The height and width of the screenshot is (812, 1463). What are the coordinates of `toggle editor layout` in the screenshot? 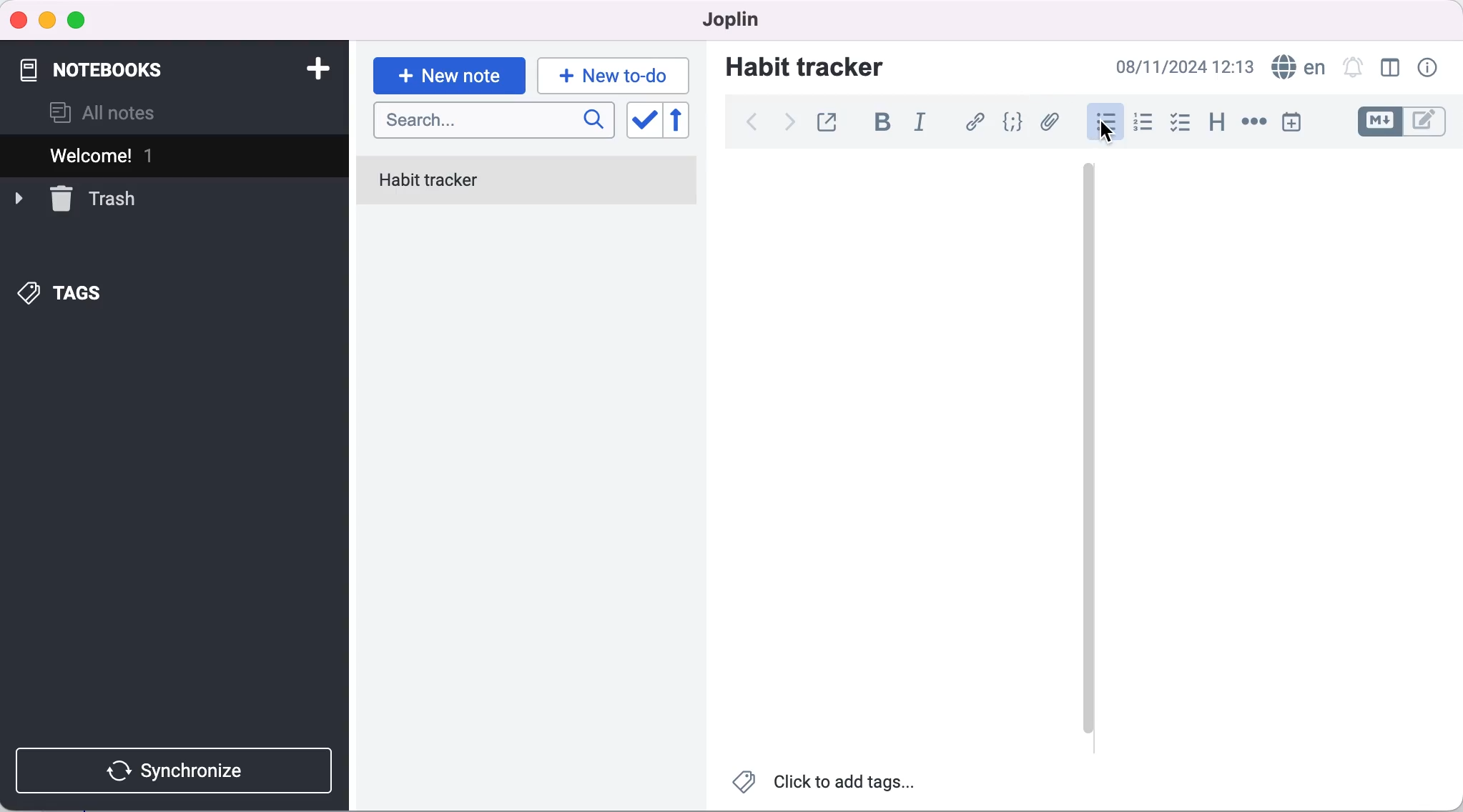 It's located at (1391, 68).